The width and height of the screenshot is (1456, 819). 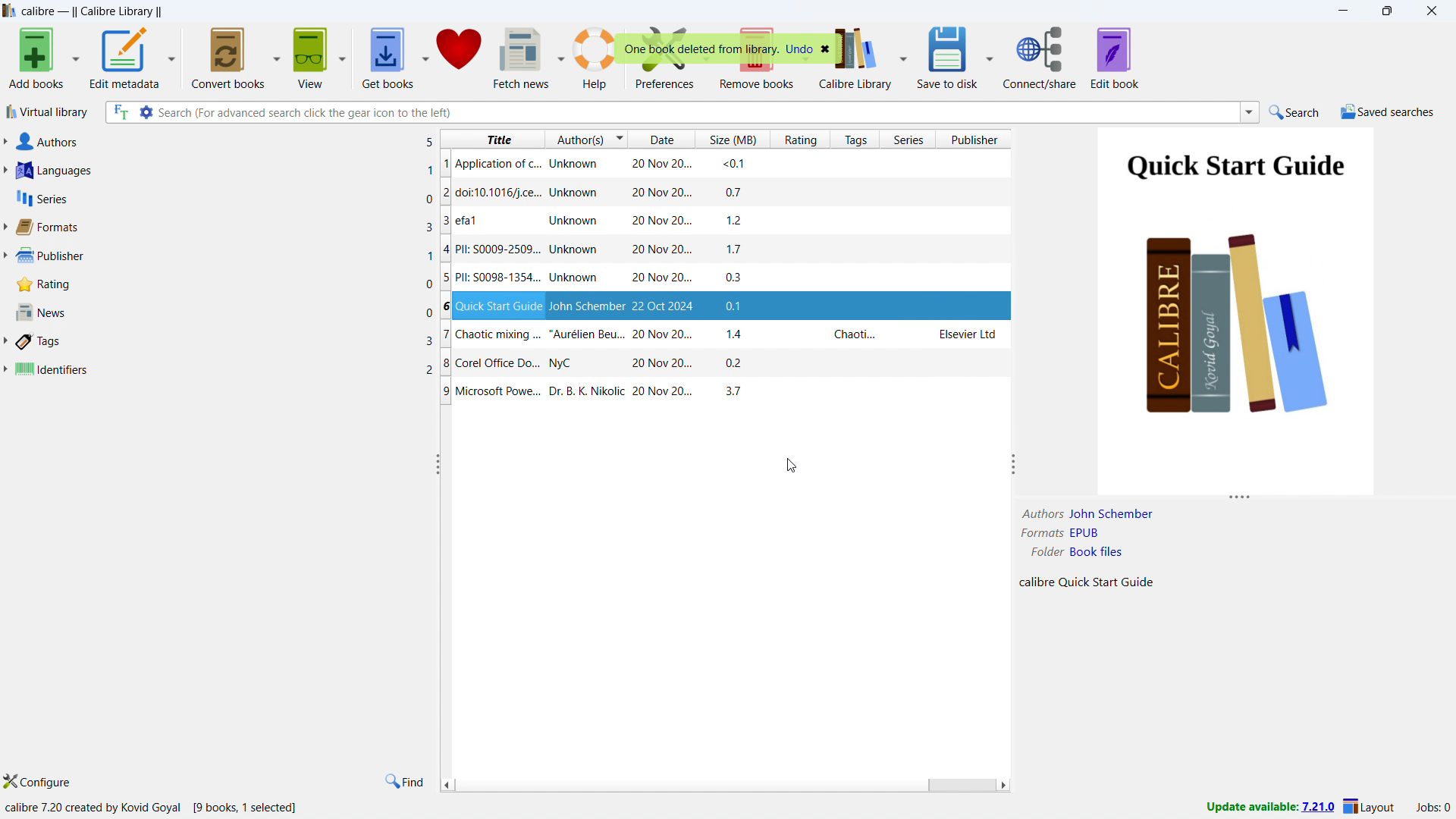 I want to click on One book deleted from library, so click(x=726, y=50).